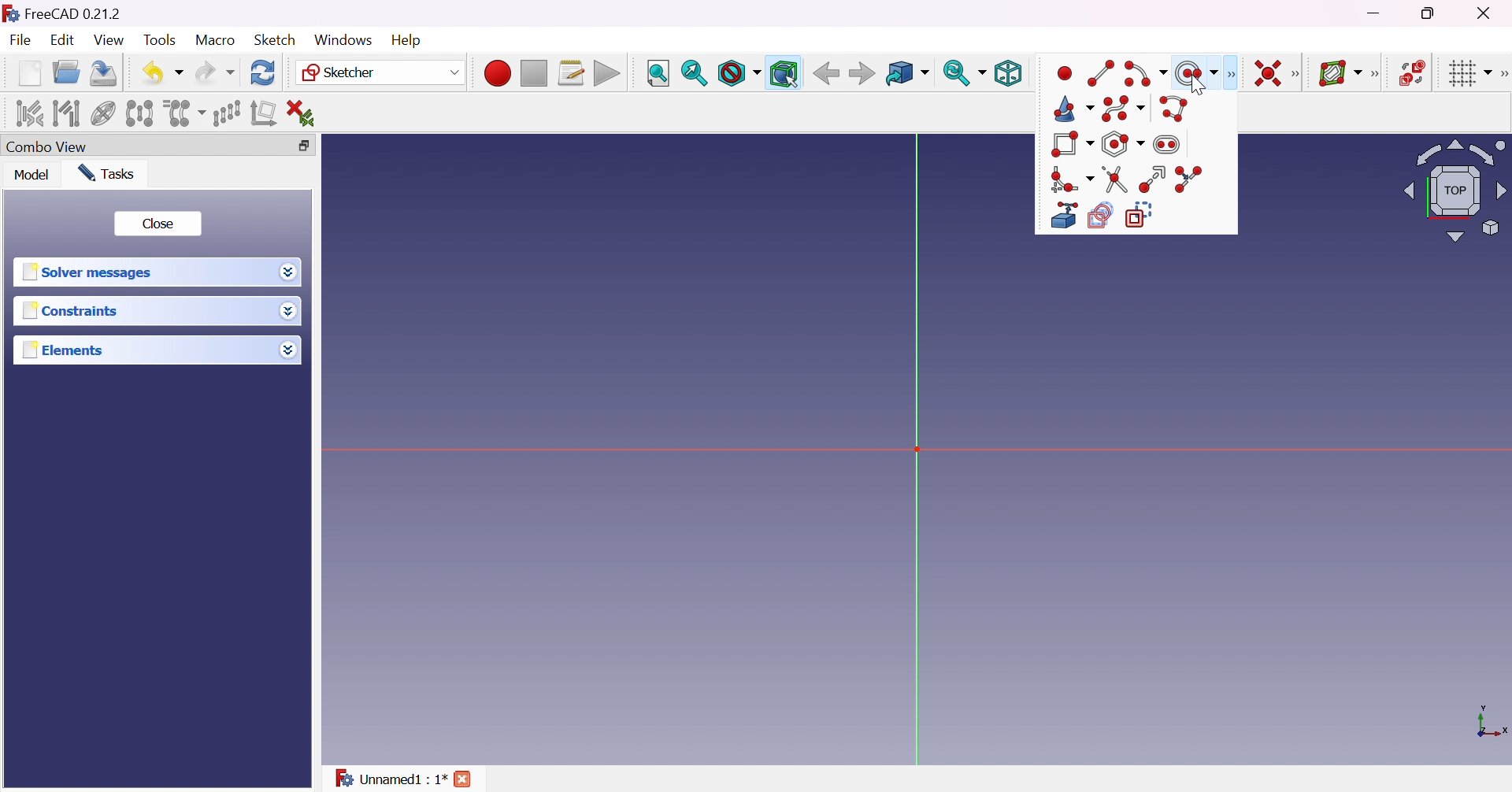  I want to click on Show/hide internal geometry, so click(105, 115).